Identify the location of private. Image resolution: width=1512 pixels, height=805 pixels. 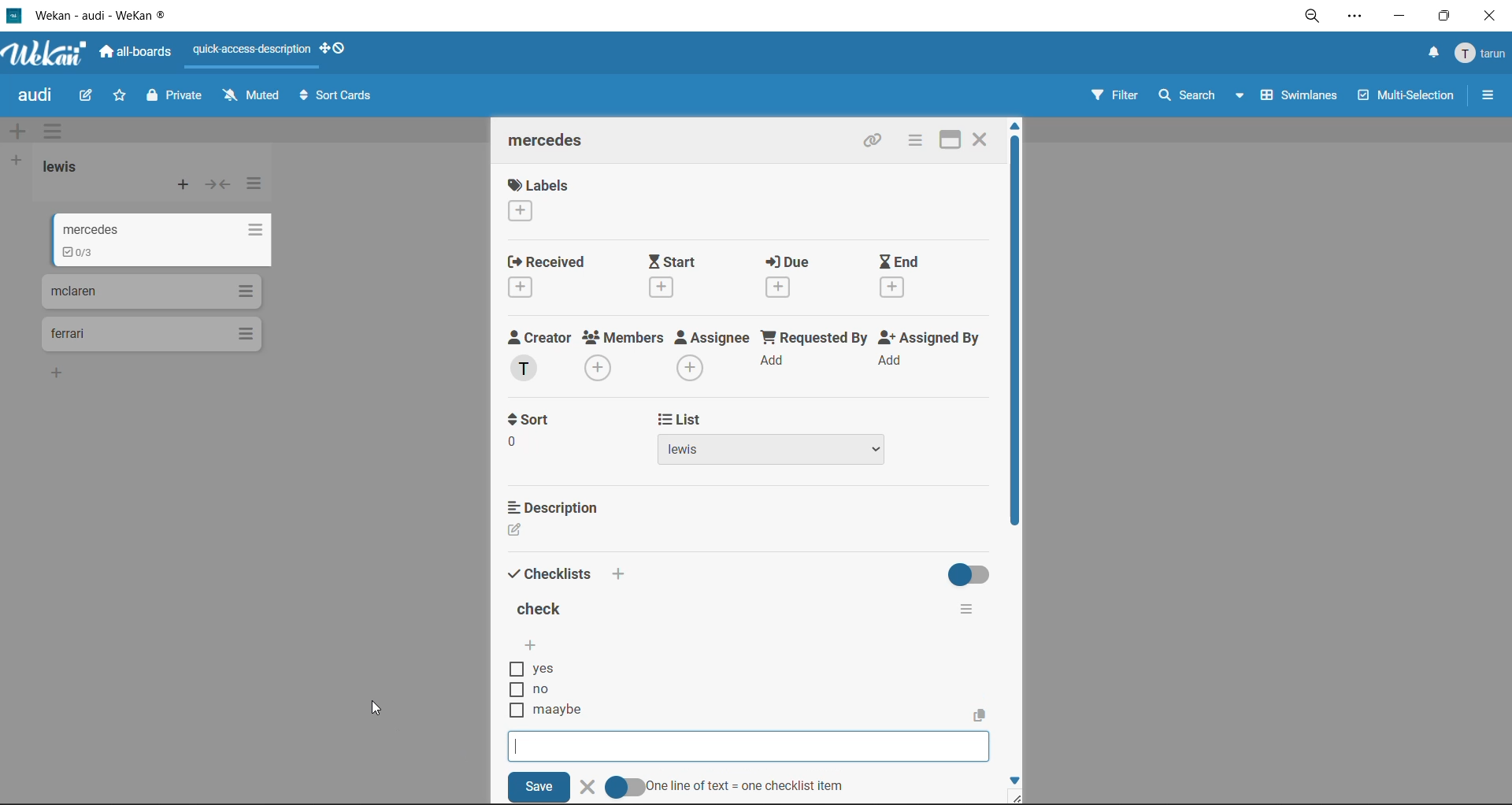
(179, 97).